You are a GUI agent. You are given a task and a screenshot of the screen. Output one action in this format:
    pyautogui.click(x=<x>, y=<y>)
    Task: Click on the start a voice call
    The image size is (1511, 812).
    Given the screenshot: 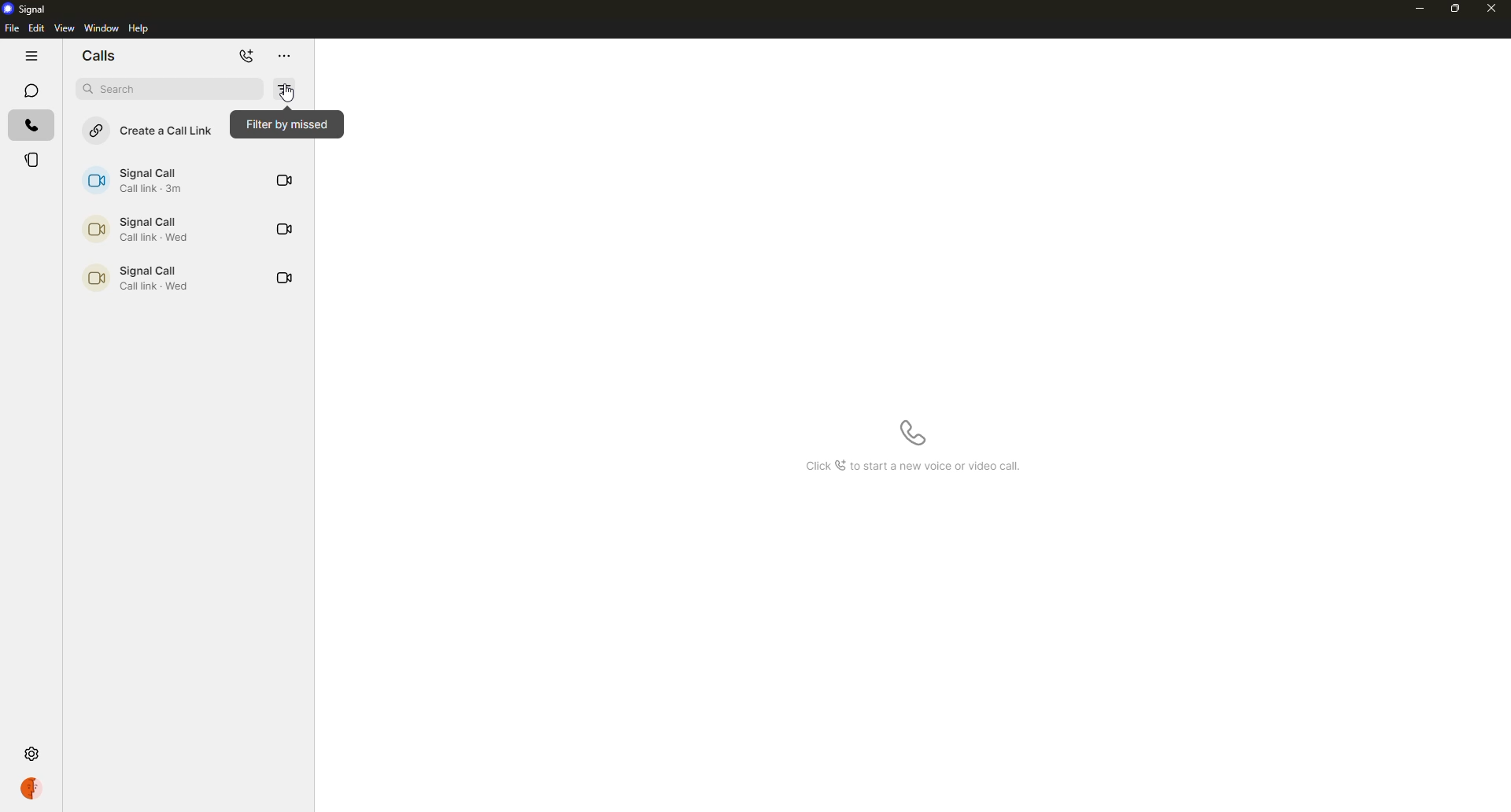 What is the action you would take?
    pyautogui.click(x=914, y=434)
    